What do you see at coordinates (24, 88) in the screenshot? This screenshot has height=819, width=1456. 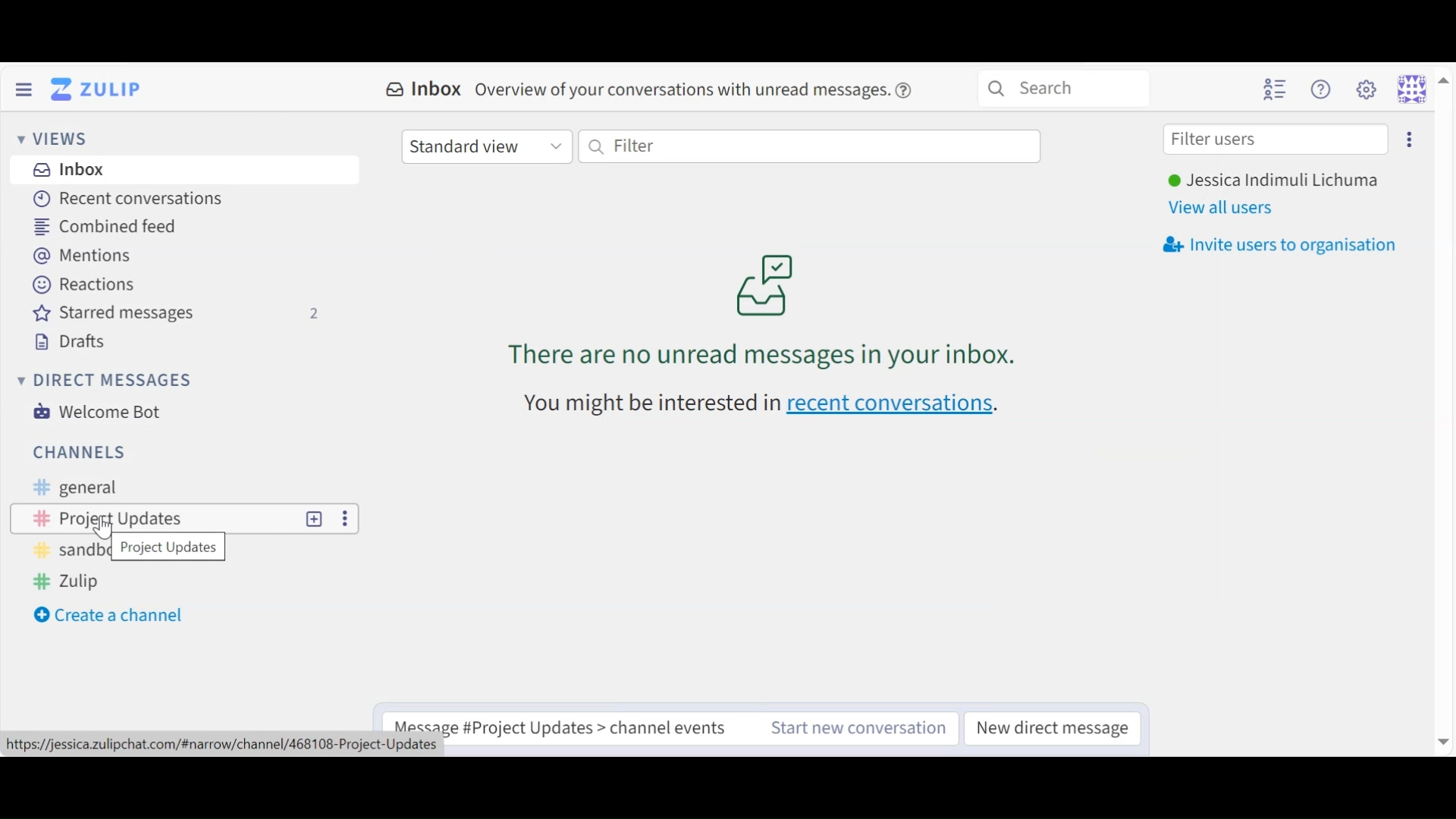 I see `Hide Sidebar` at bounding box center [24, 88].